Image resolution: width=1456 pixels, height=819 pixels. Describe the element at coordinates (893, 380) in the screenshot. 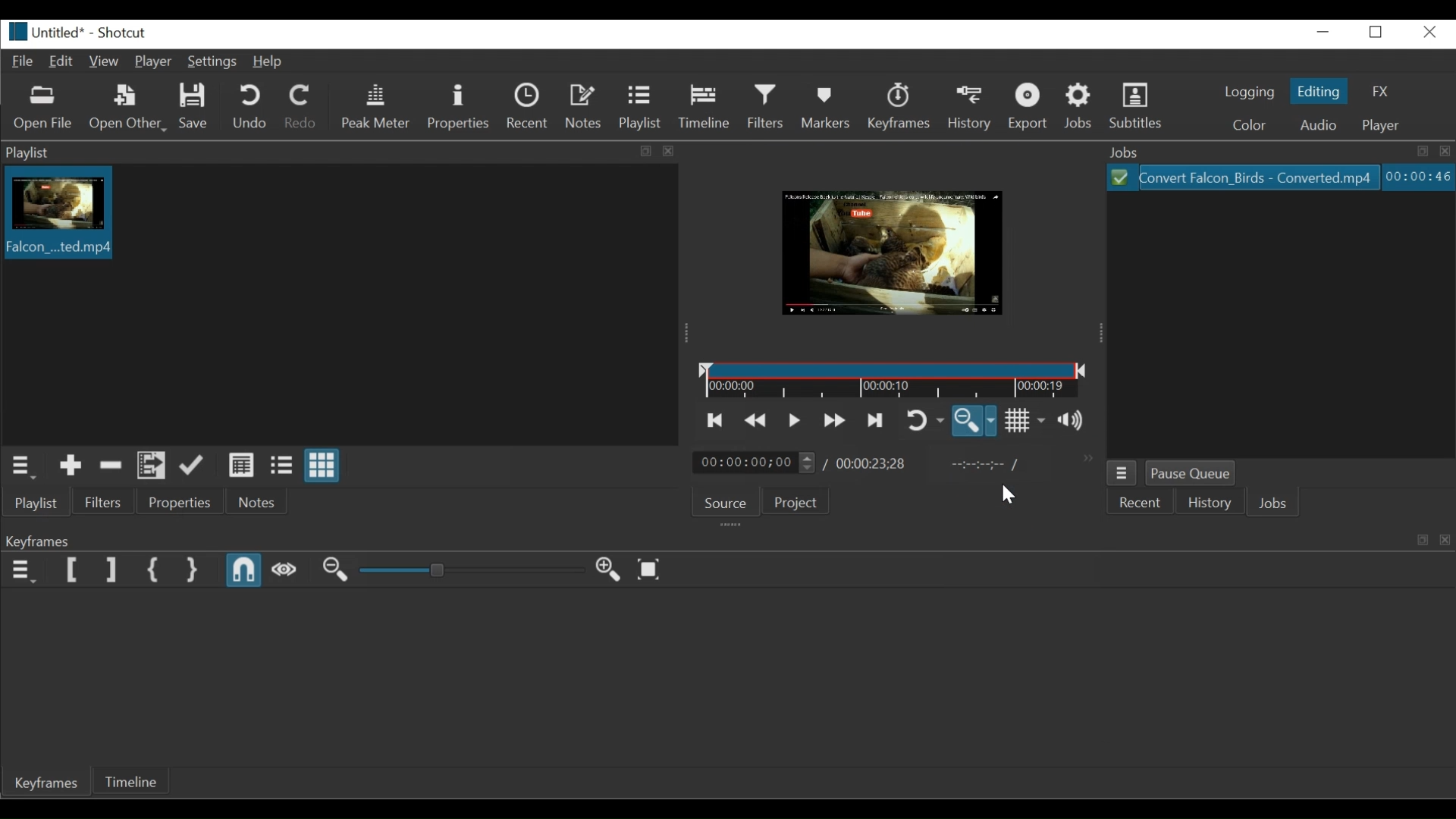

I see `Timeline` at that location.